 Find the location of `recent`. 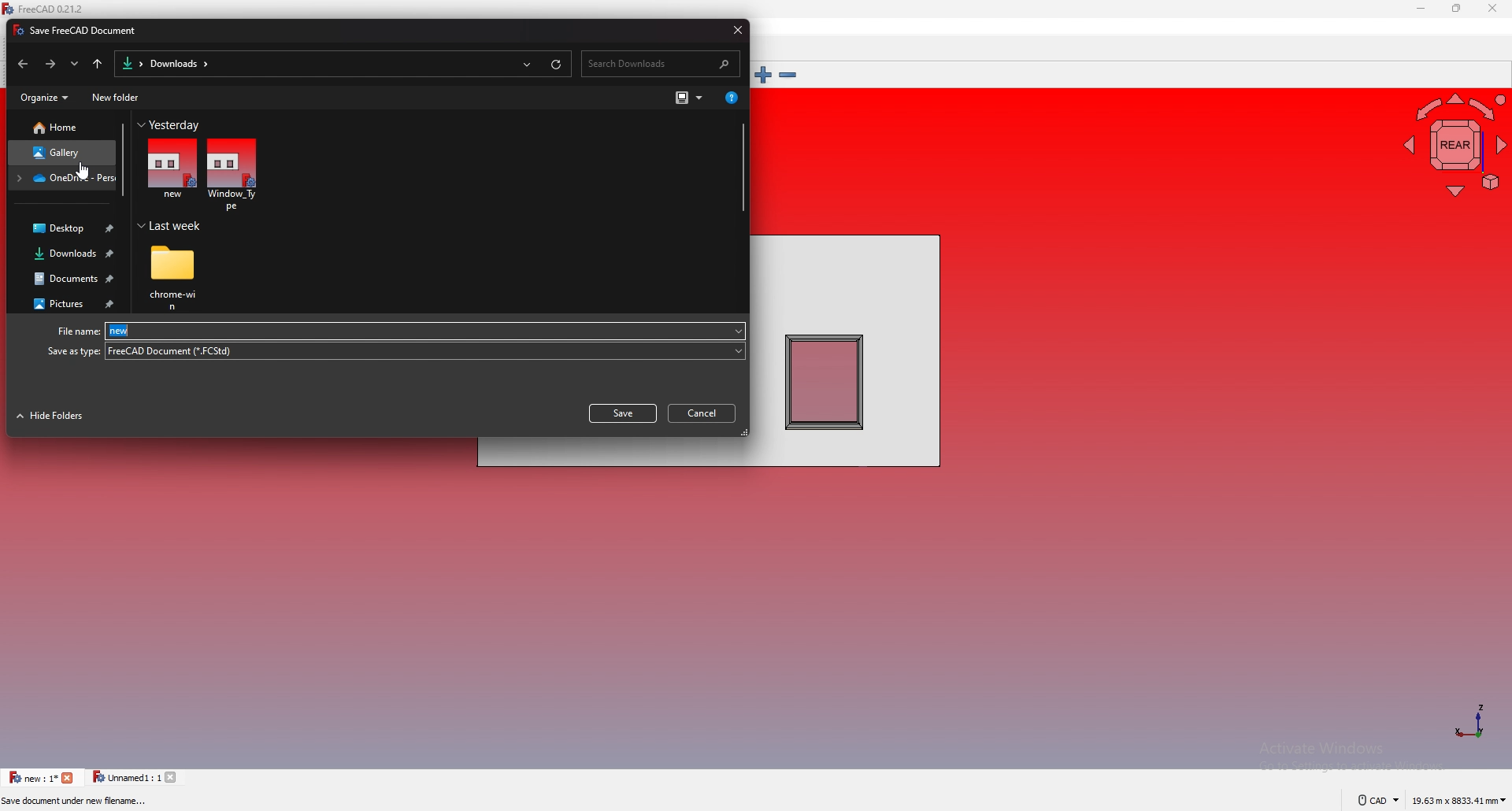

recent is located at coordinates (525, 65).